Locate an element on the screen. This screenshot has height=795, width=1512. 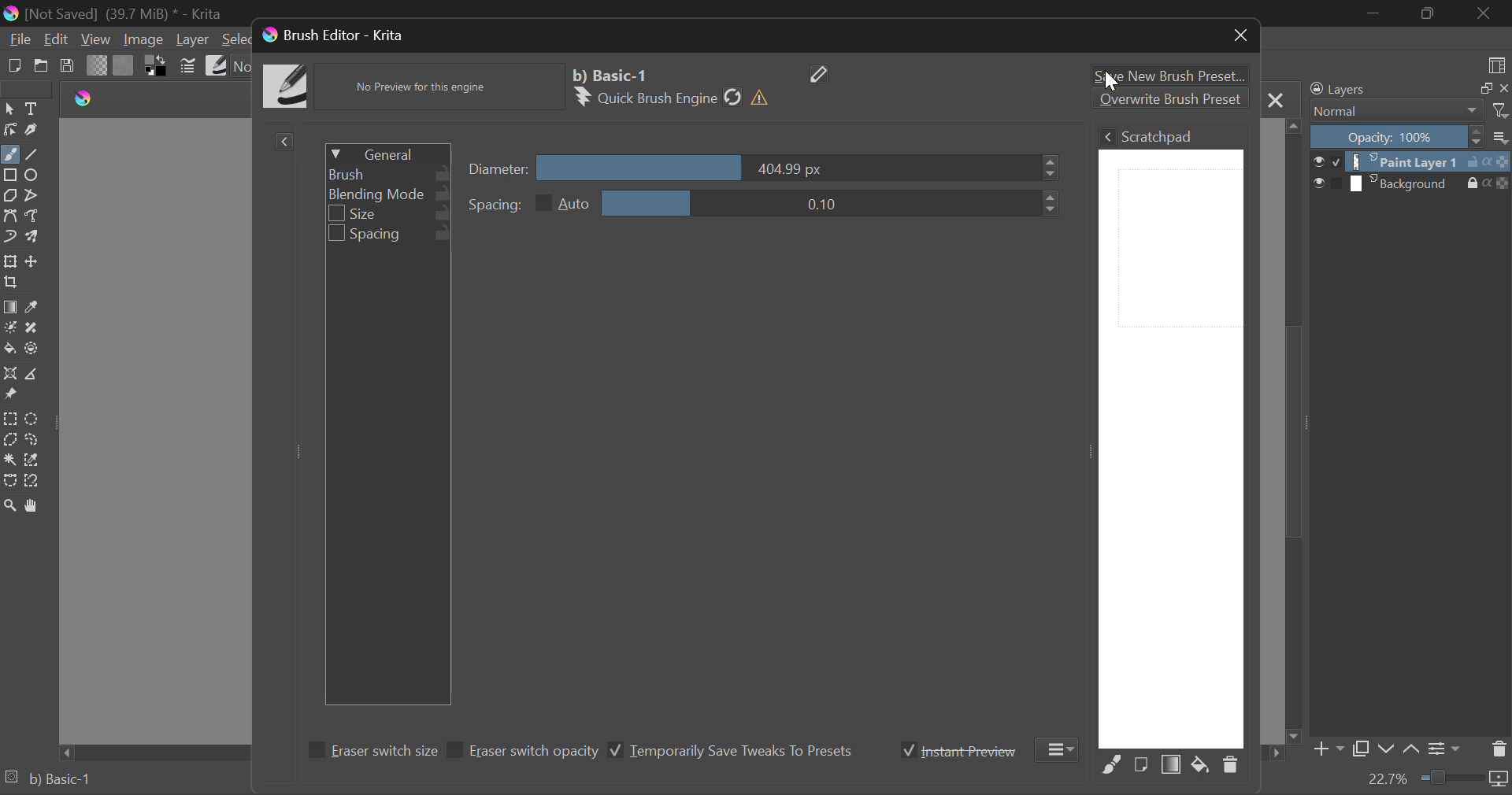
Pattern is located at coordinates (124, 65).